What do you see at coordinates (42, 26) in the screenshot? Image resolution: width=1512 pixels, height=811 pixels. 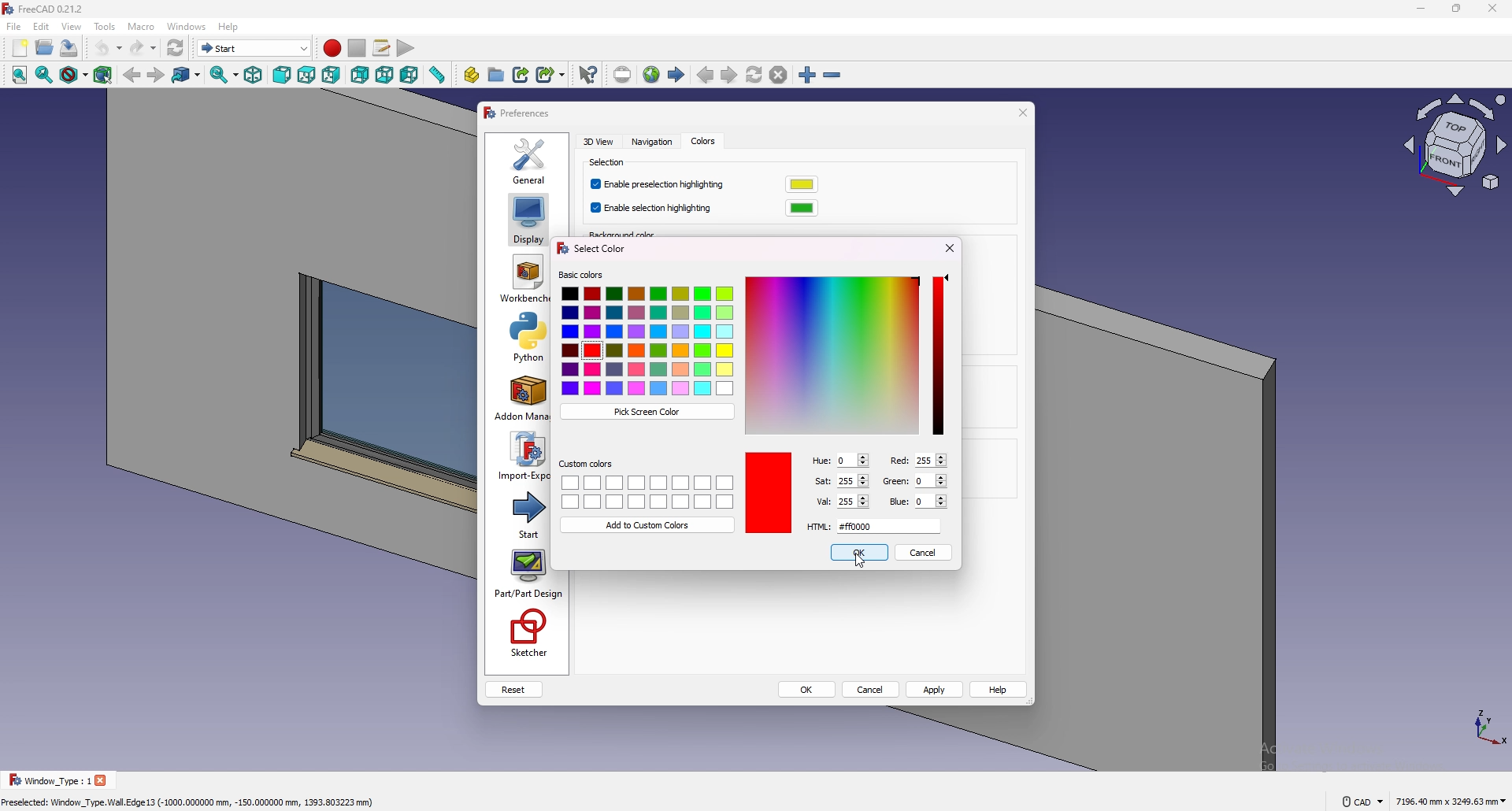 I see `edit` at bounding box center [42, 26].